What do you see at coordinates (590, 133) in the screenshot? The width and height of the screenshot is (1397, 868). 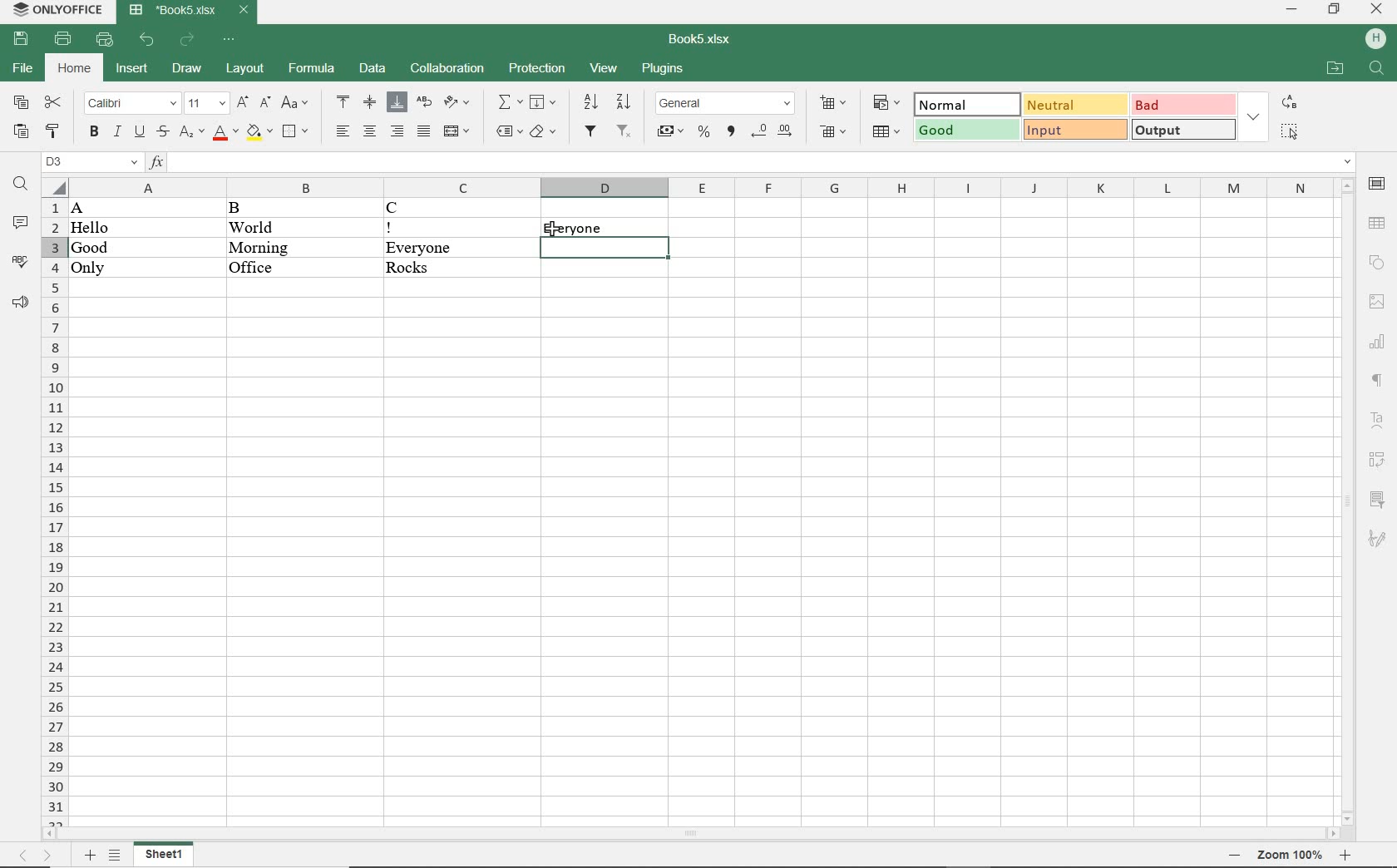 I see `filter` at bounding box center [590, 133].